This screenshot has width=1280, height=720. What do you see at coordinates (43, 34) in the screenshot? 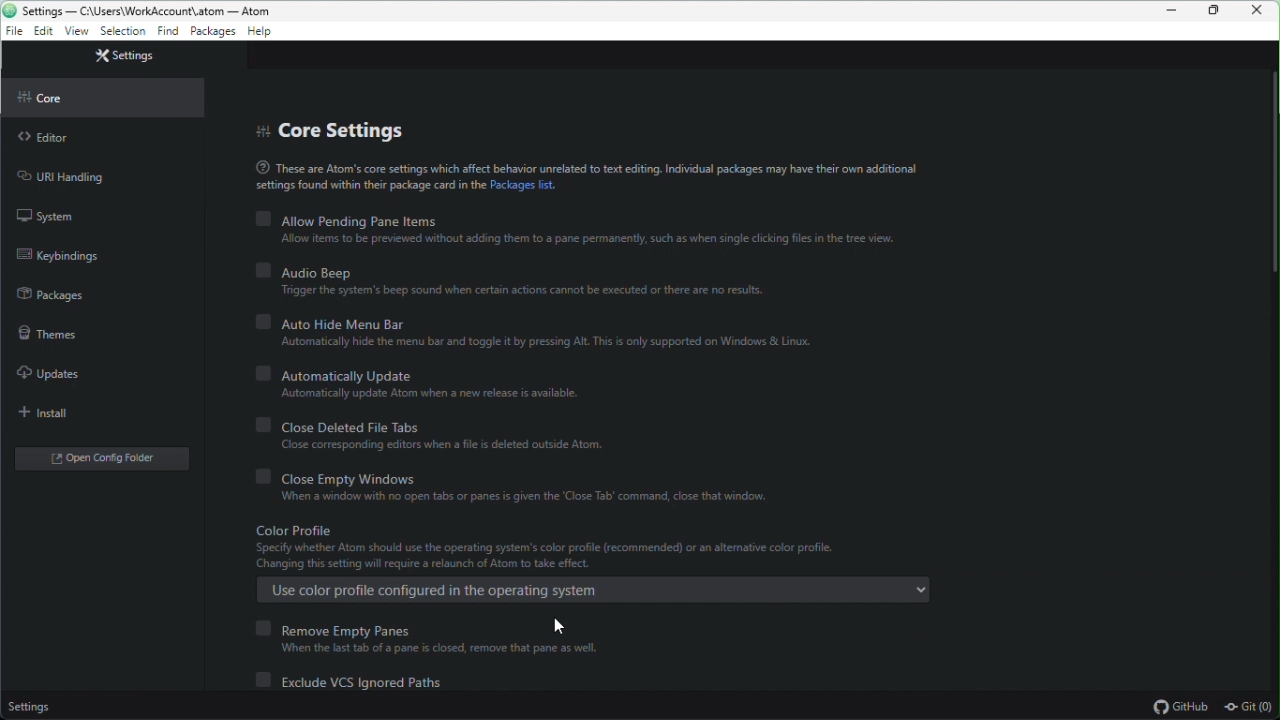
I see `edit` at bounding box center [43, 34].